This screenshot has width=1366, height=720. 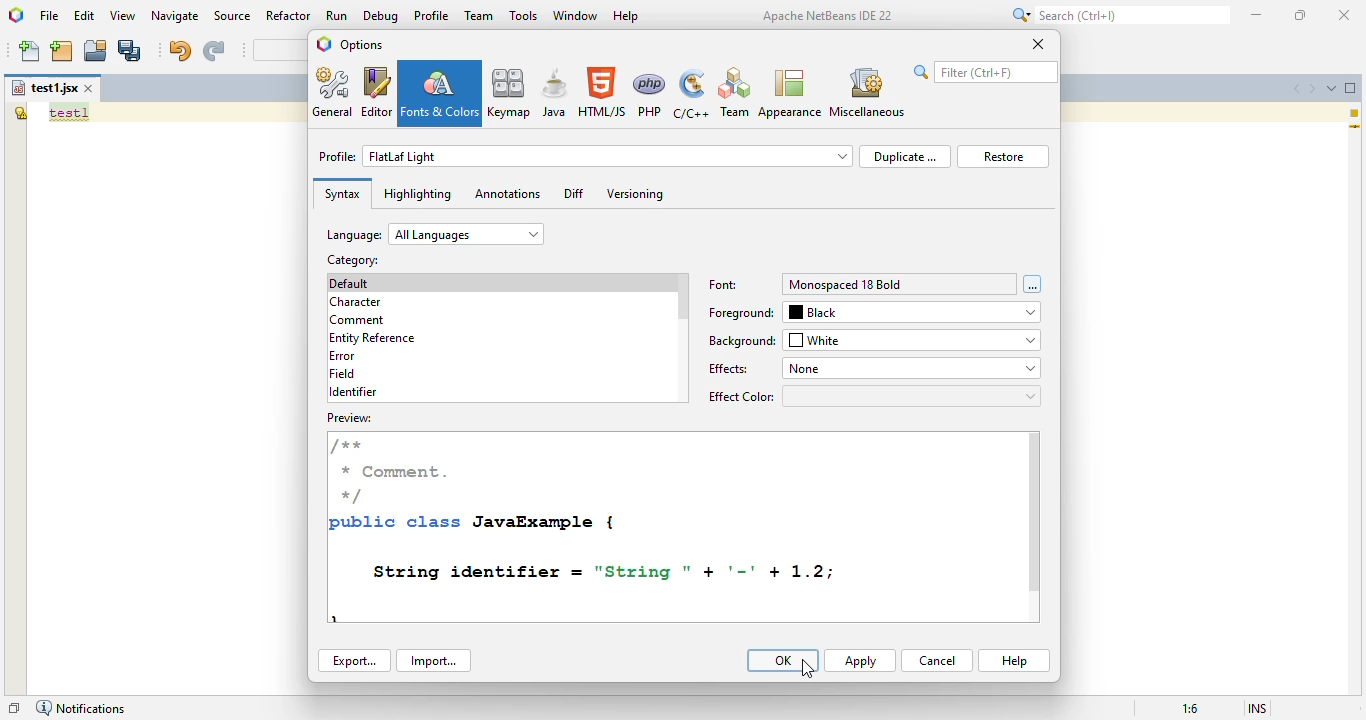 I want to click on the global variable "test1" is not declared., so click(x=20, y=112).